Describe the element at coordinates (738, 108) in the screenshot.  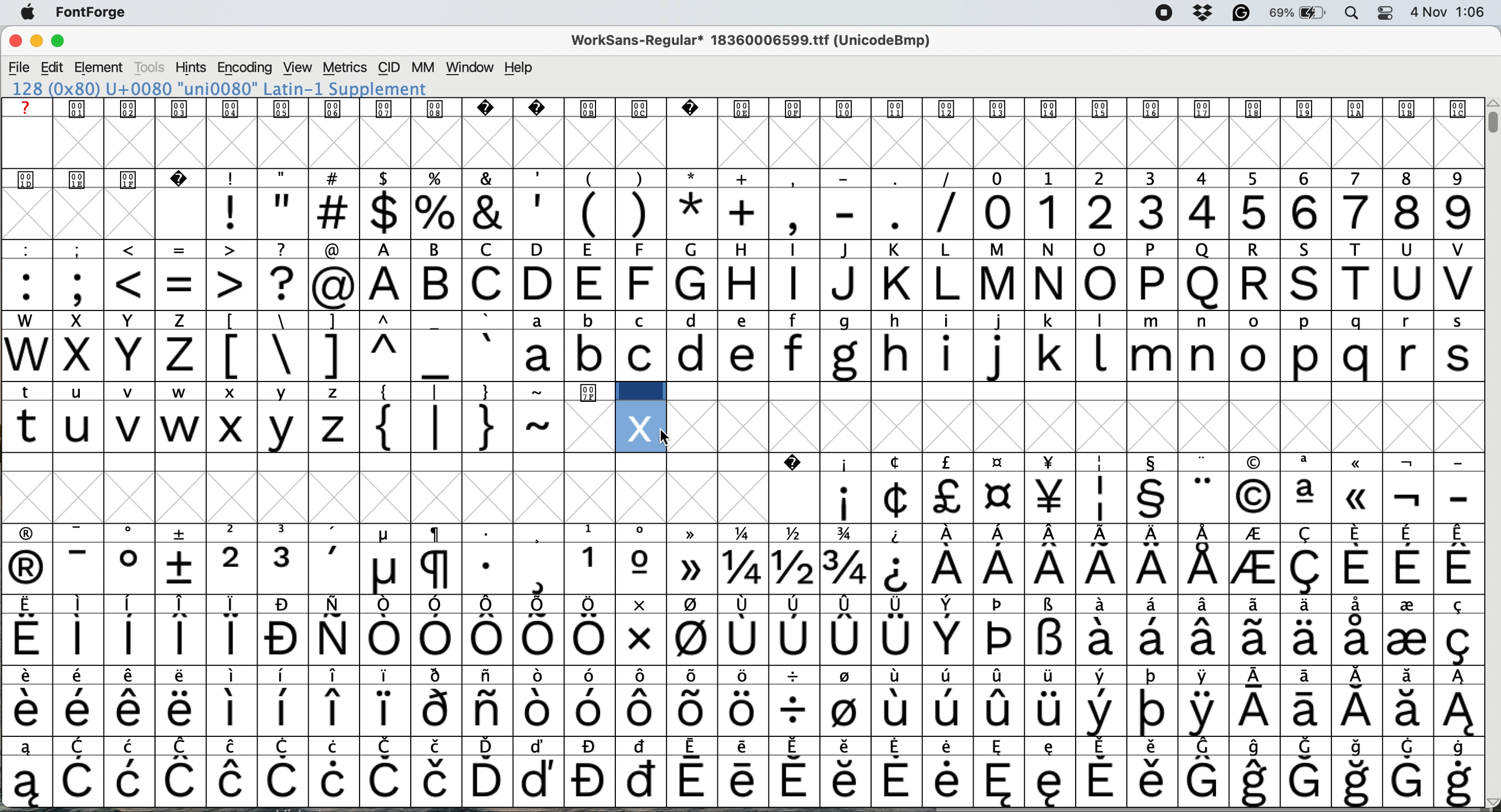
I see `text` at that location.